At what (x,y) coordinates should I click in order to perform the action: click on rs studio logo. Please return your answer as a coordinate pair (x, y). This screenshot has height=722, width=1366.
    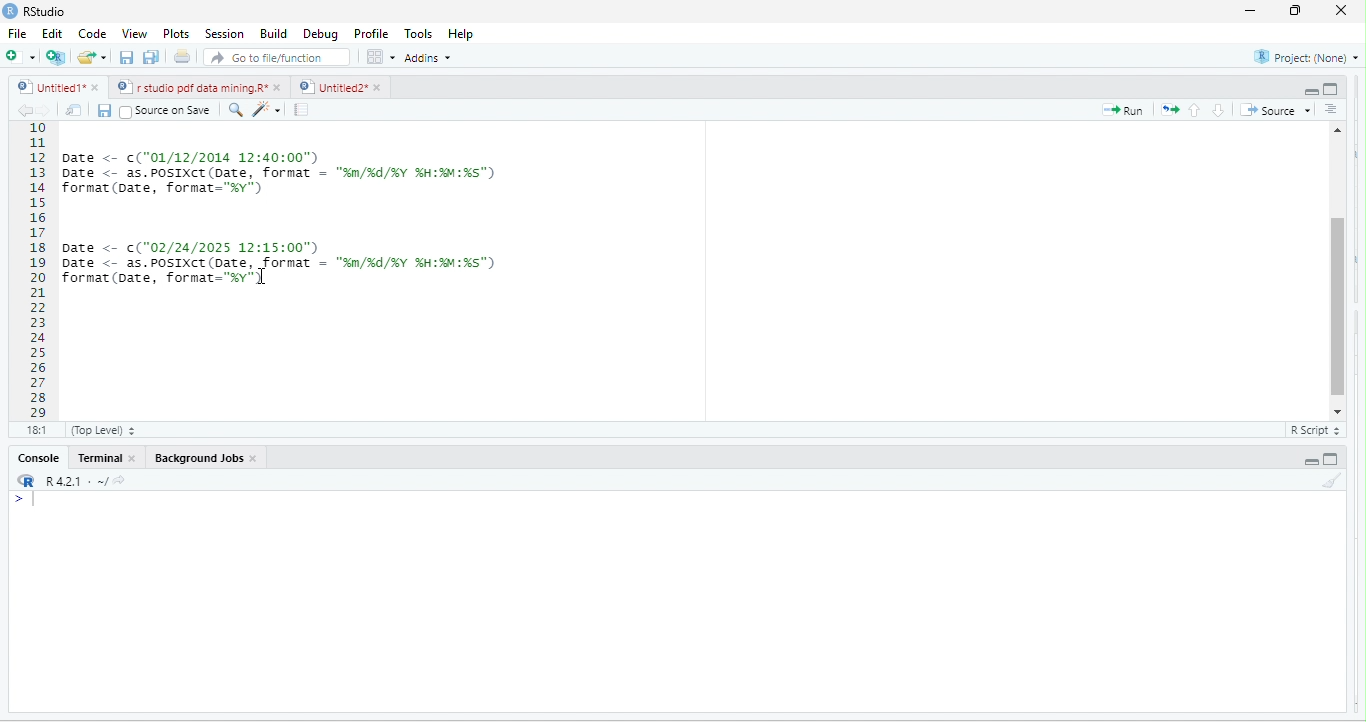
    Looking at the image, I should click on (12, 10).